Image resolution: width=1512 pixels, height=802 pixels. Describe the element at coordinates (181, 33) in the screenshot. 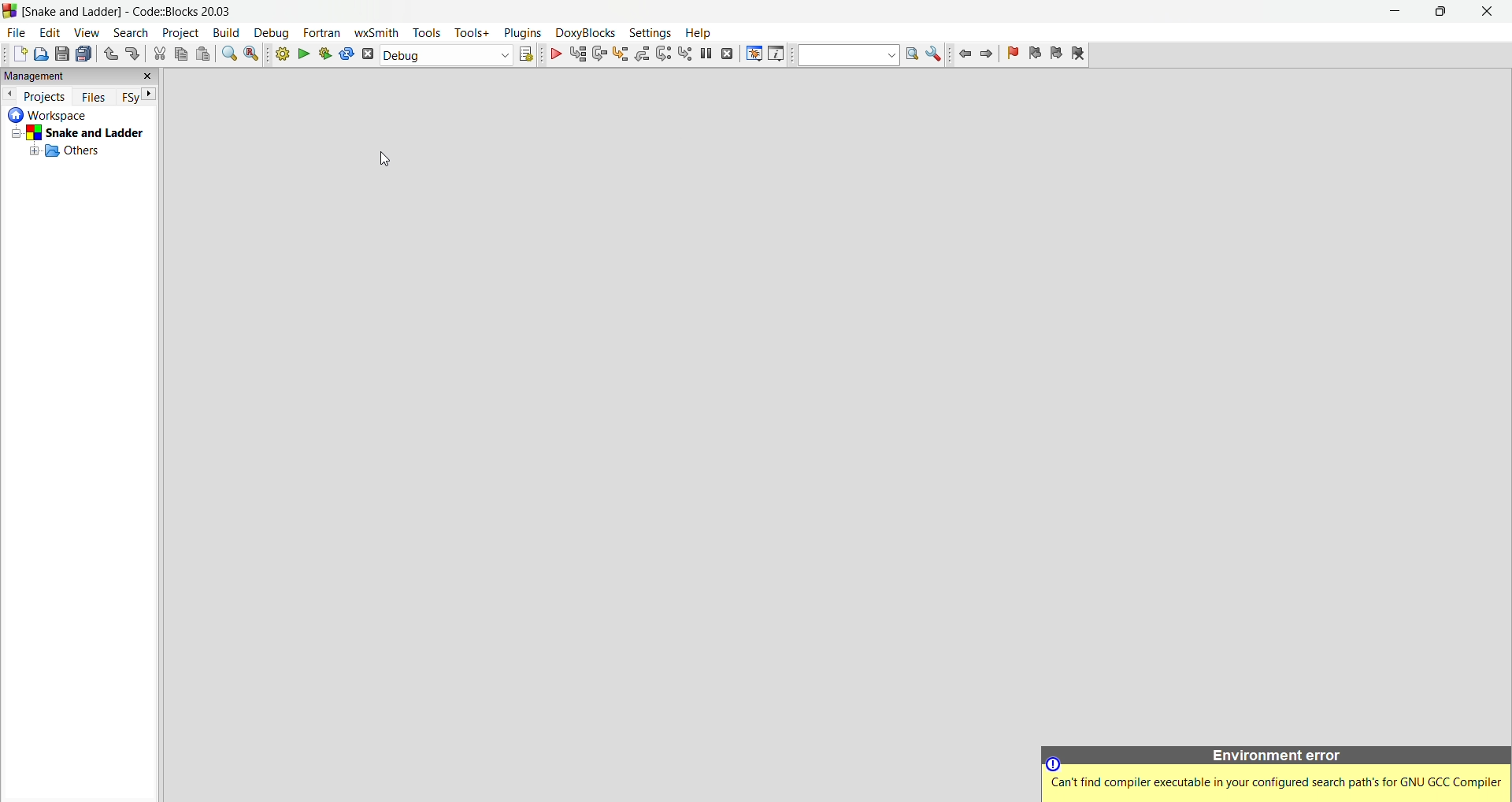

I see `project` at that location.